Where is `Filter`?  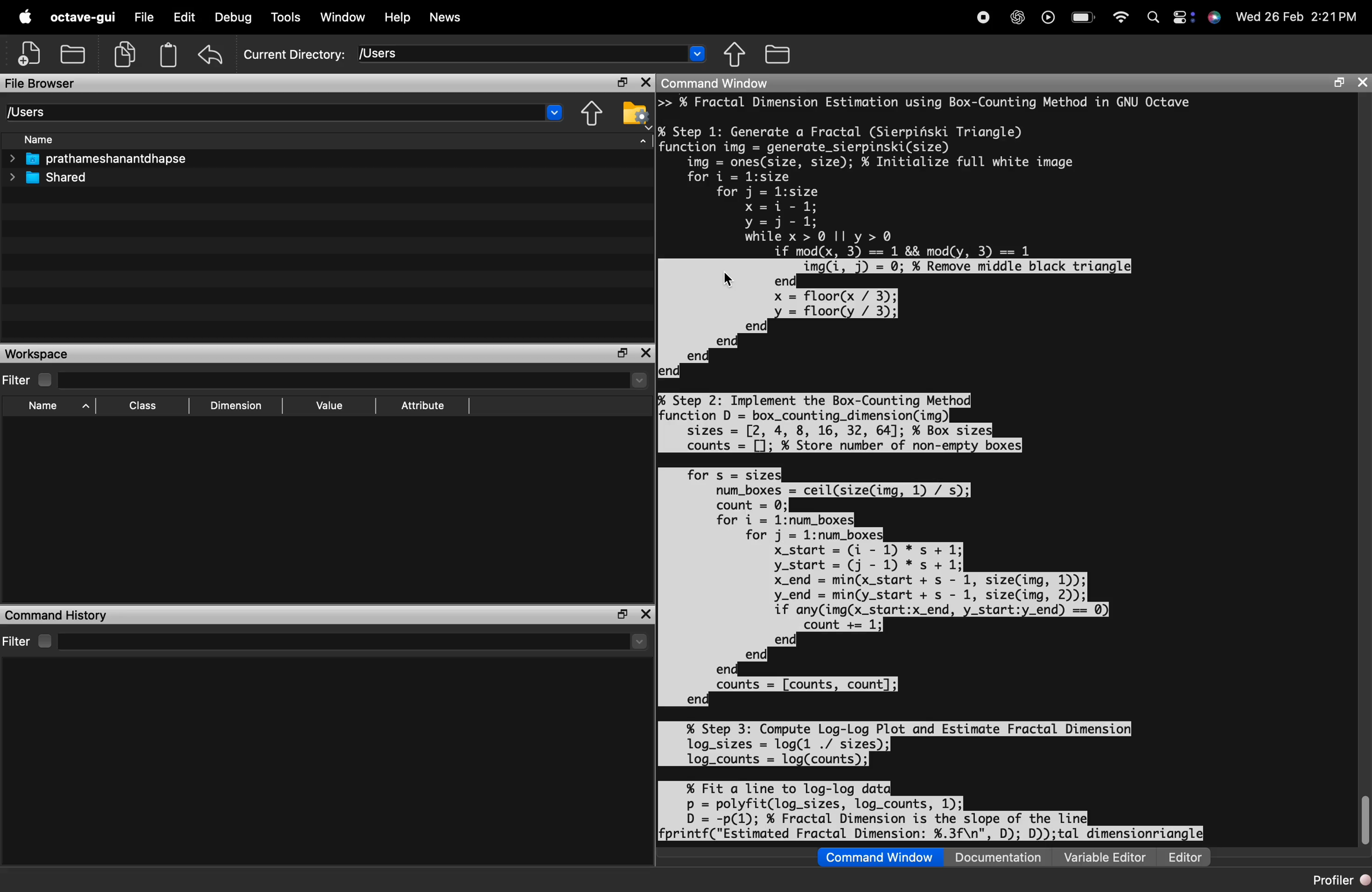
Filter is located at coordinates (28, 377).